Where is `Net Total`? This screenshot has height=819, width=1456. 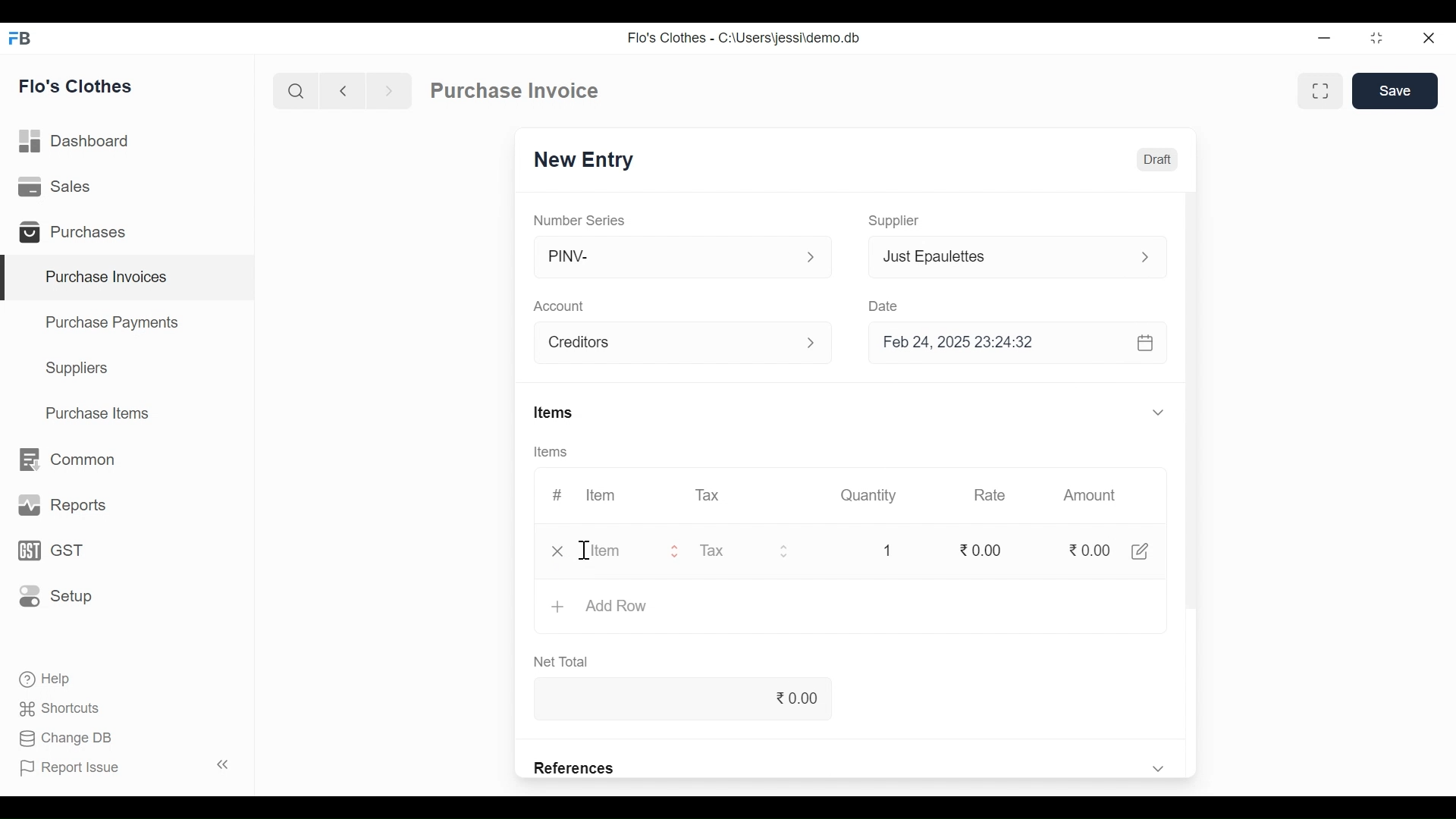 Net Total is located at coordinates (566, 663).